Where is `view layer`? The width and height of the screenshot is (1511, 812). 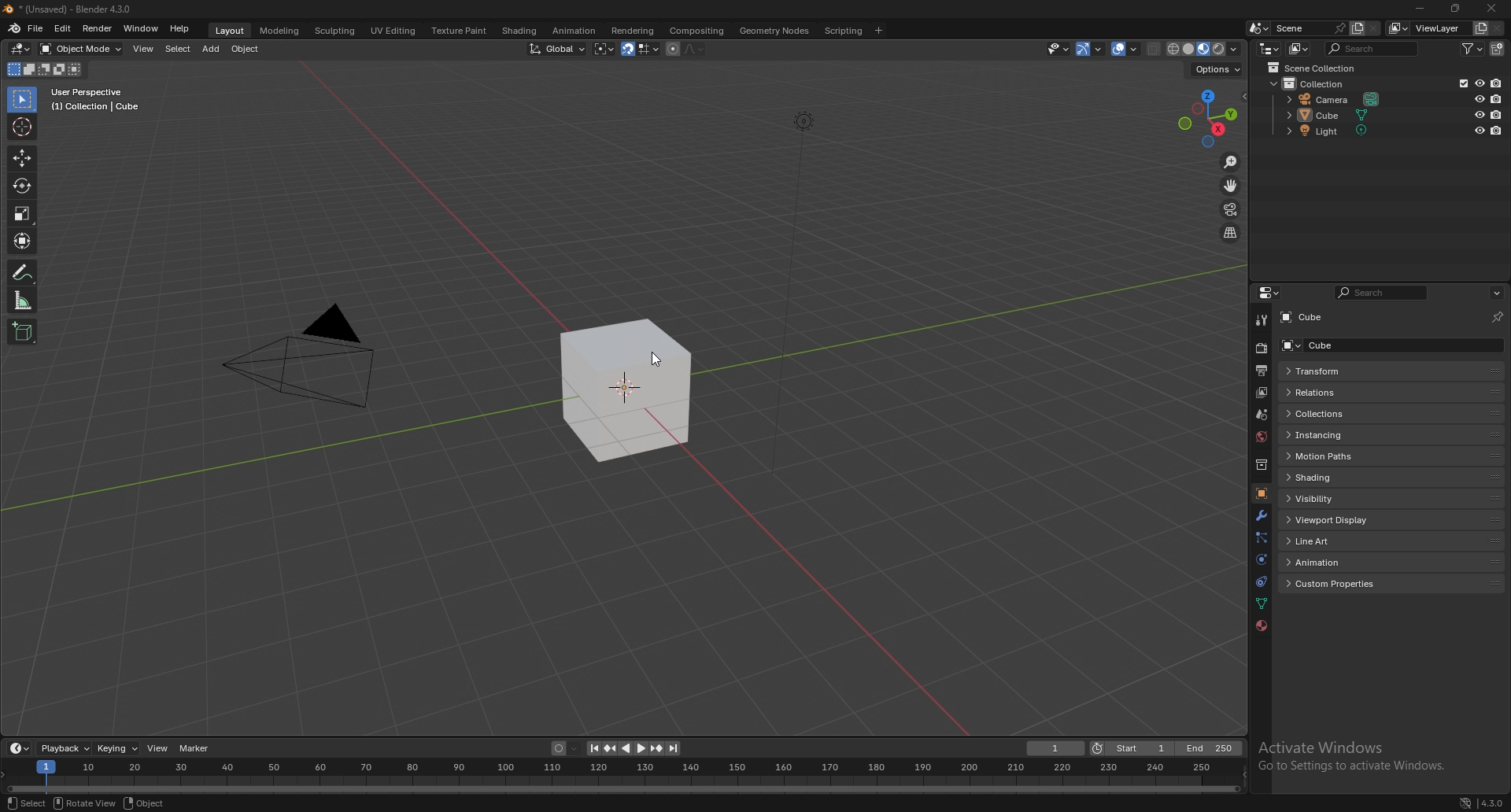
view layer is located at coordinates (1429, 28).